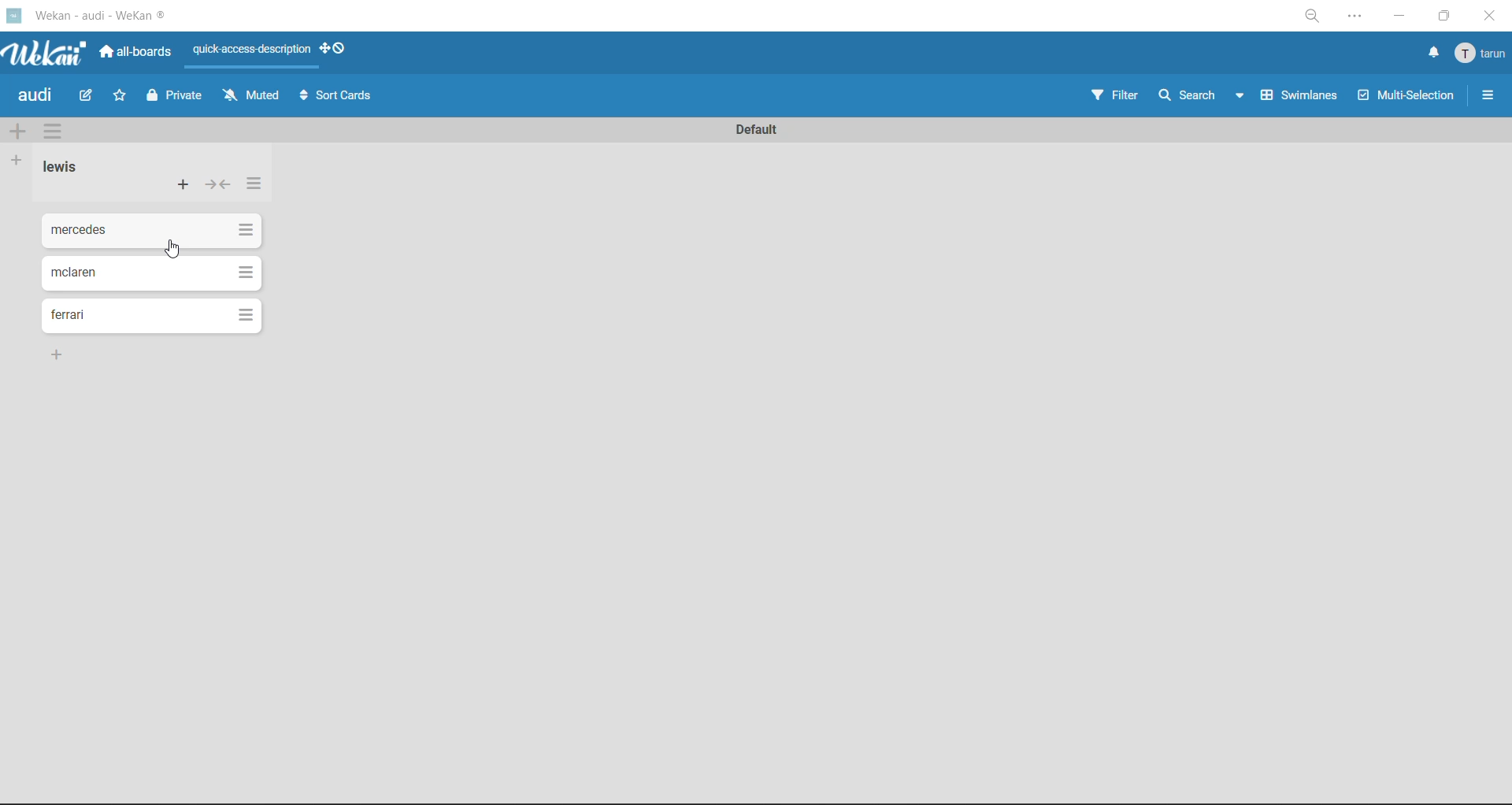 Image resolution: width=1512 pixels, height=805 pixels. Describe the element at coordinates (1440, 20) in the screenshot. I see `maximize` at that location.